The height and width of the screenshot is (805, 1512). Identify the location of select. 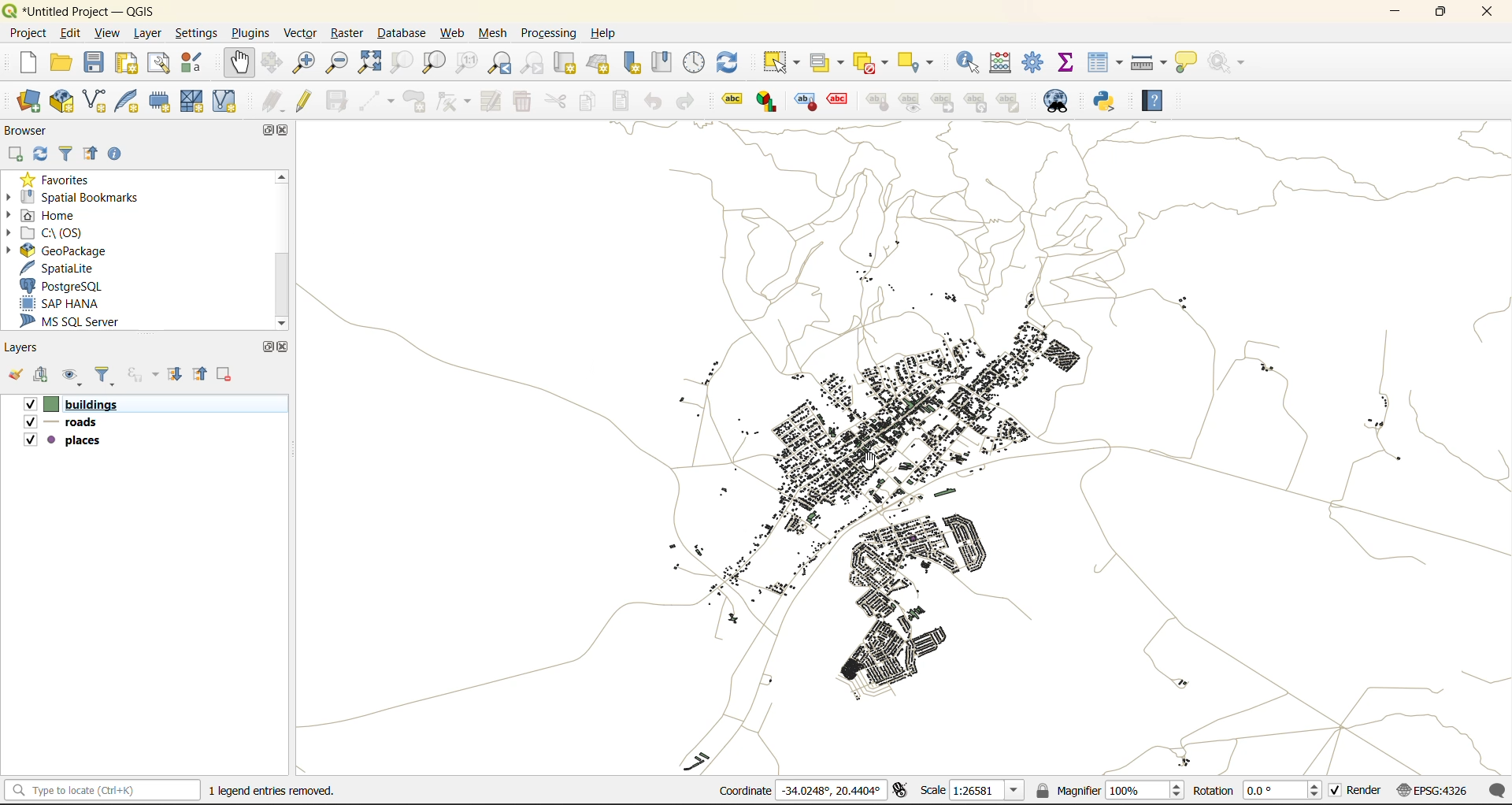
(784, 61).